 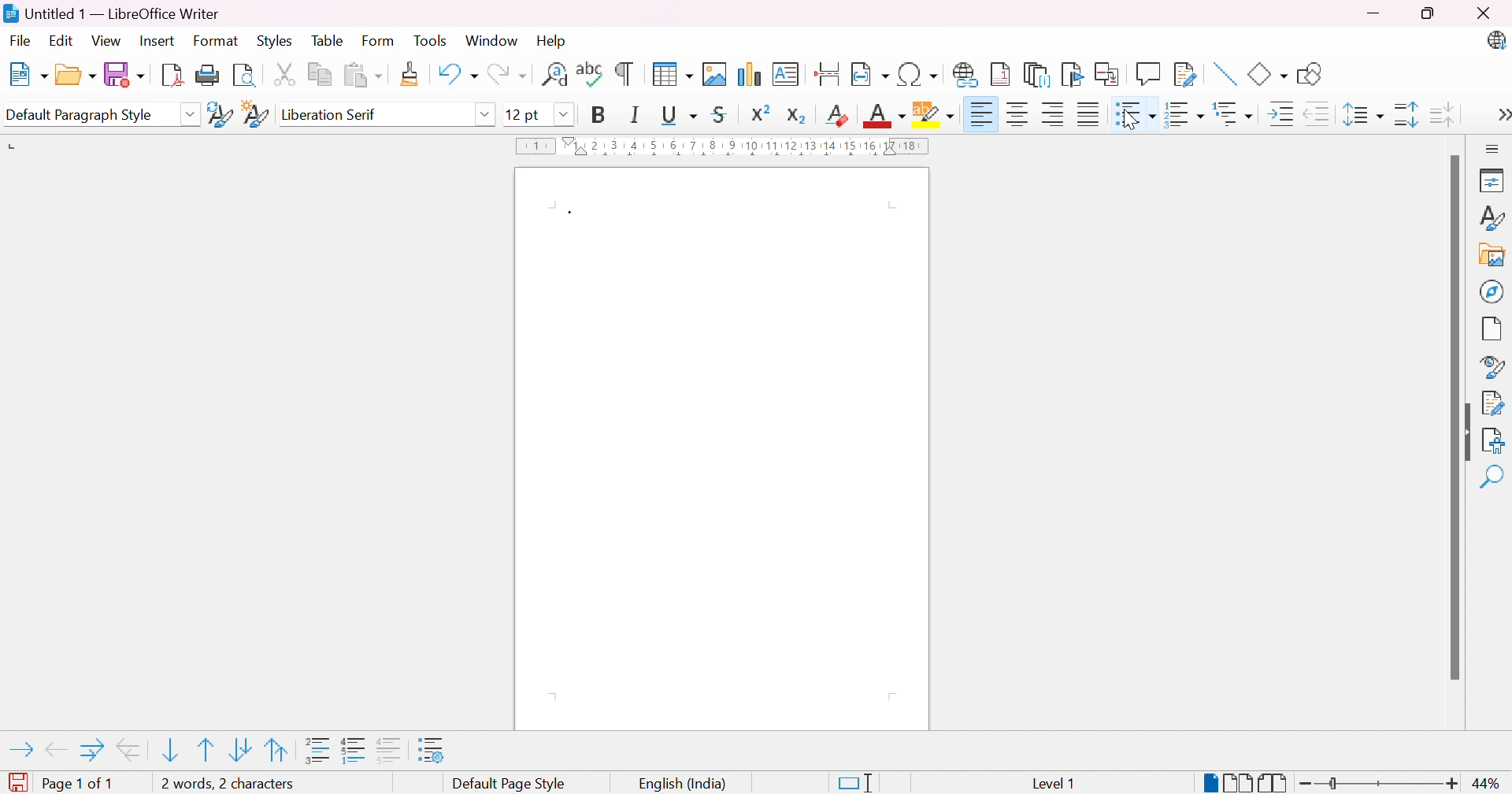 What do you see at coordinates (837, 118) in the screenshot?
I see `Clear direct formatting` at bounding box center [837, 118].